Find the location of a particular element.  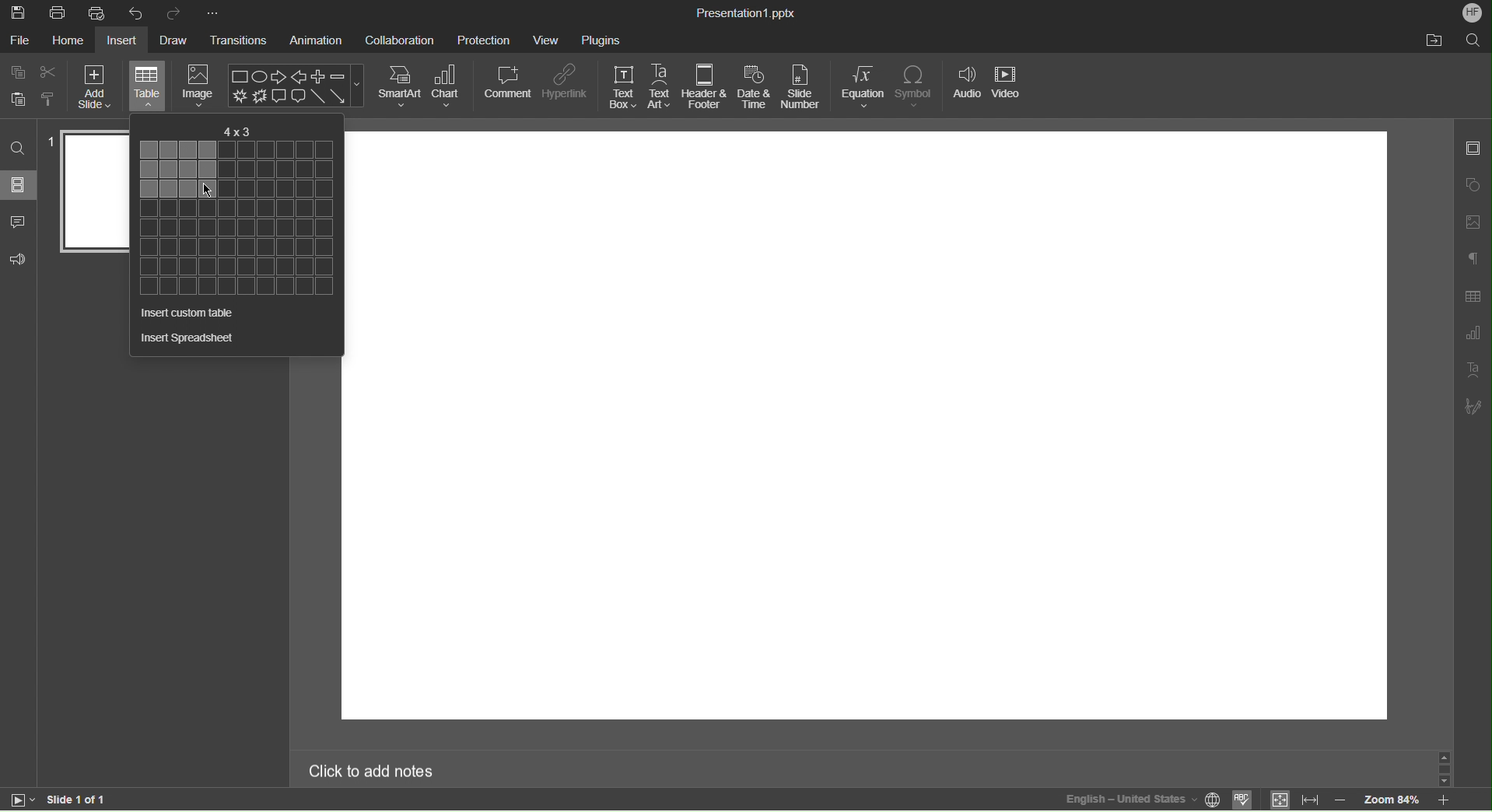

English - United States is located at coordinates (1130, 799).